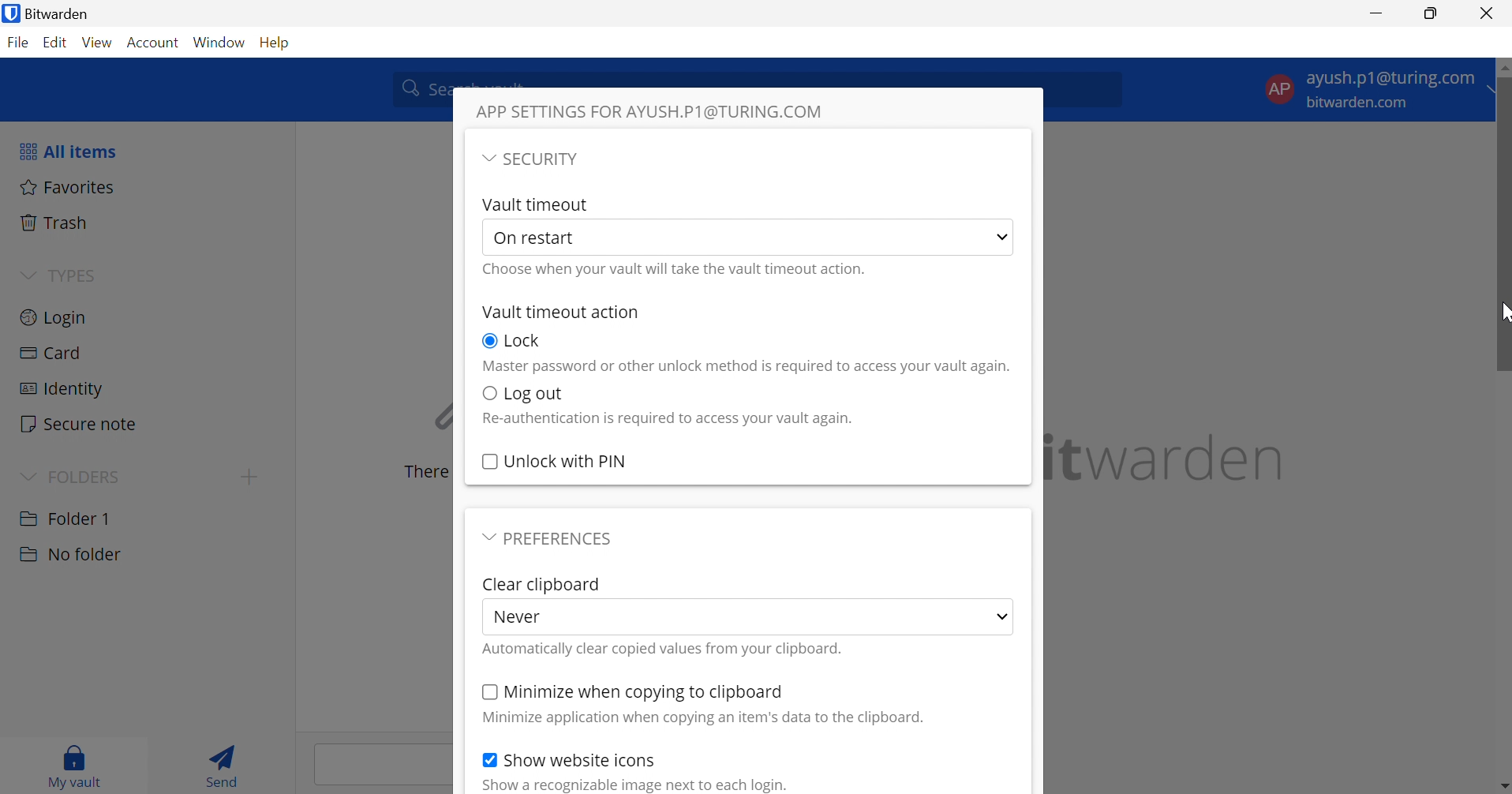 Image resolution: width=1512 pixels, height=794 pixels. Describe the element at coordinates (1496, 90) in the screenshot. I see `Drop Down` at that location.